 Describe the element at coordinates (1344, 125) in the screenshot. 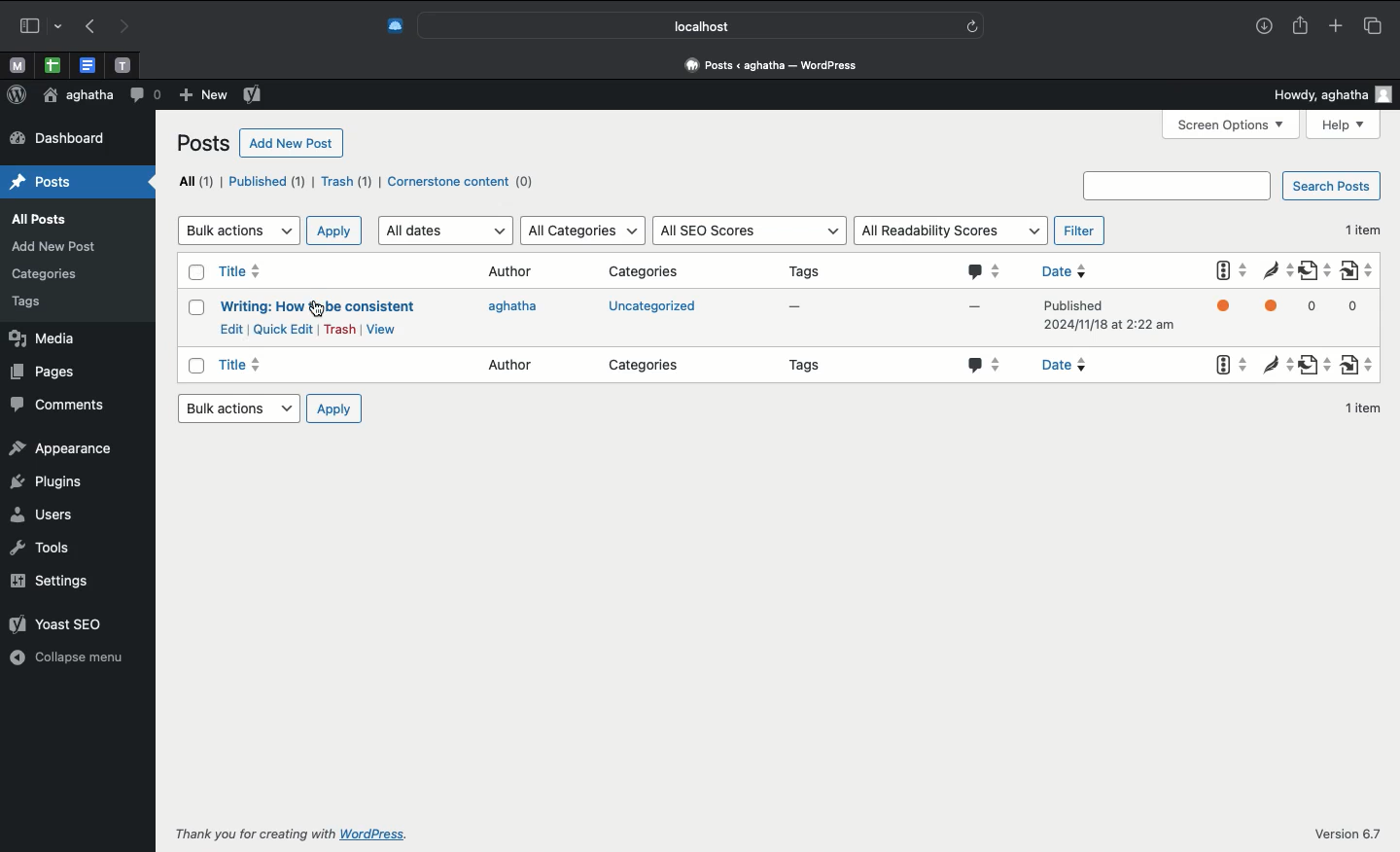

I see `Help` at that location.